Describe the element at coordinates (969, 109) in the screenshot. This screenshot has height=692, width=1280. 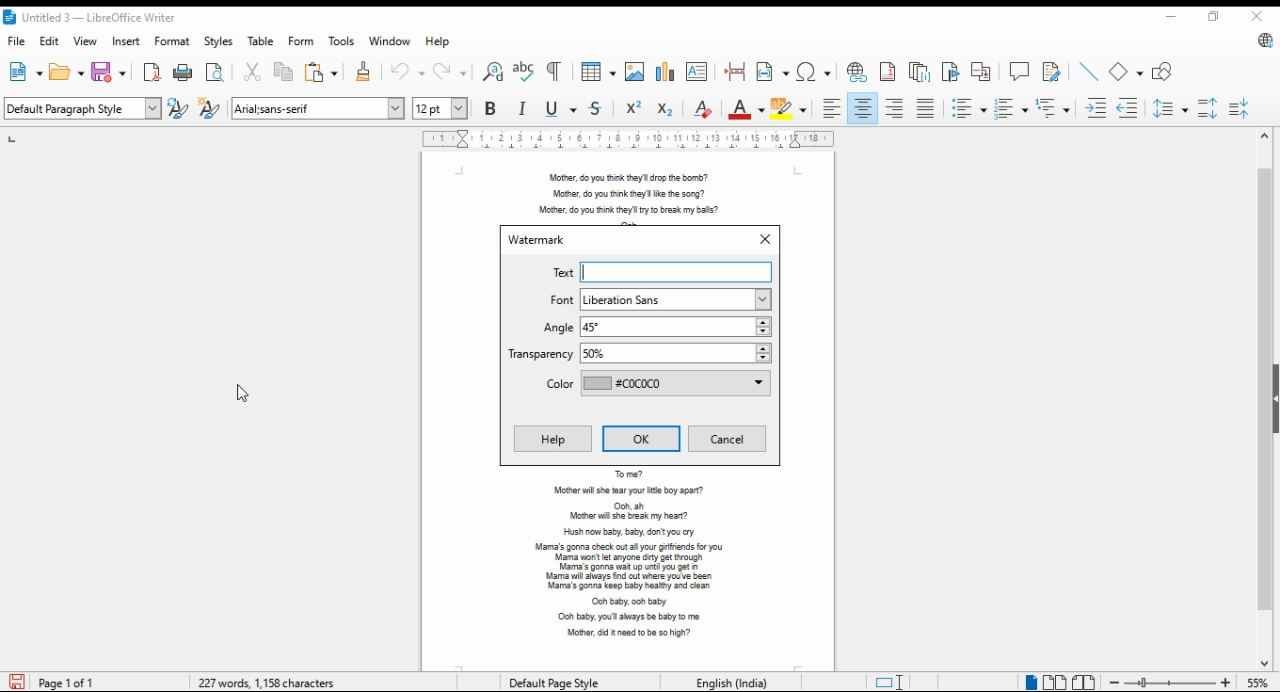
I see `toggle unordered list` at that location.